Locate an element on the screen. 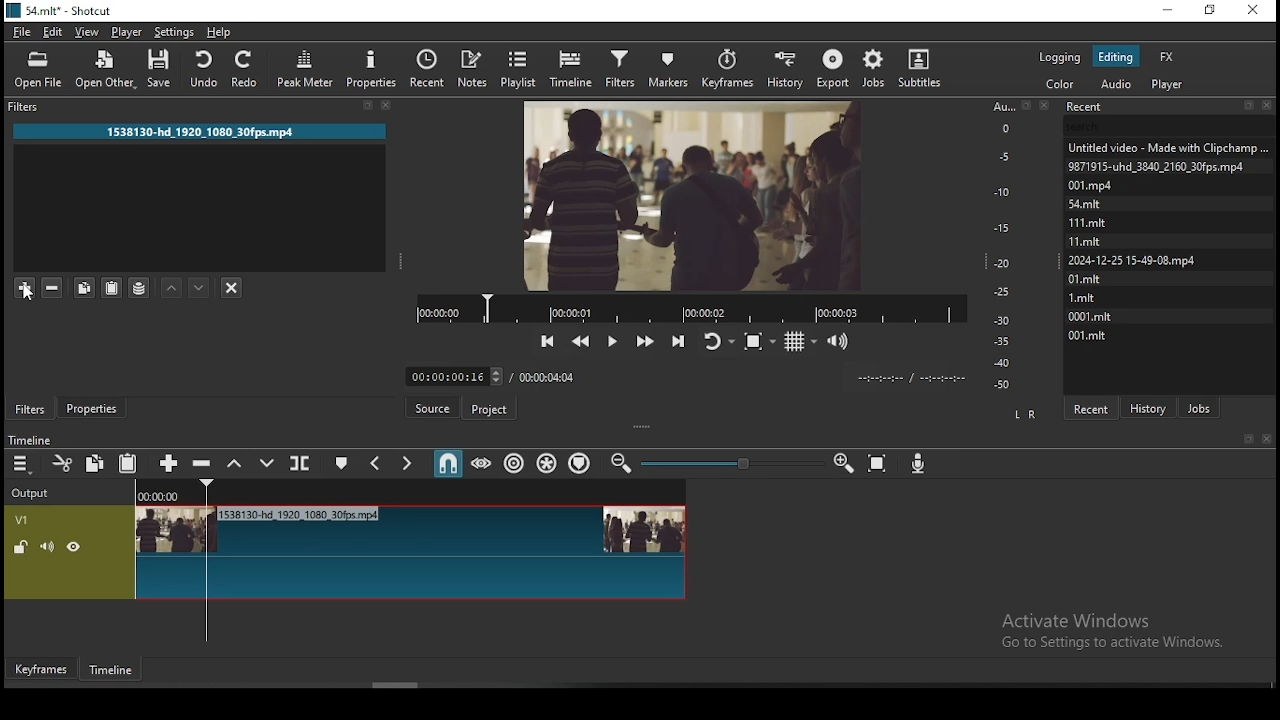  paste filters is located at coordinates (114, 289).